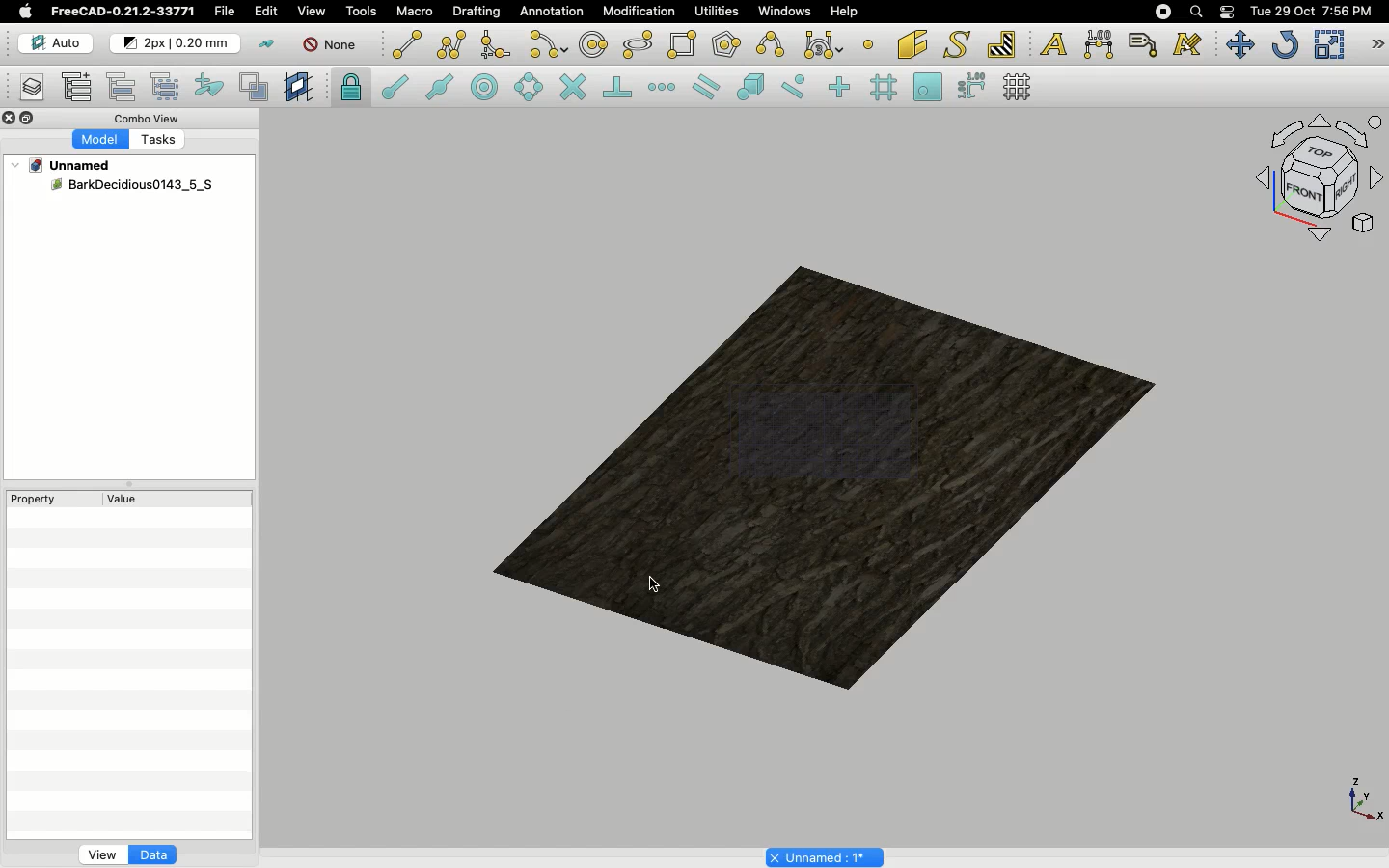 The width and height of the screenshot is (1389, 868). I want to click on Axis, so click(1361, 798).